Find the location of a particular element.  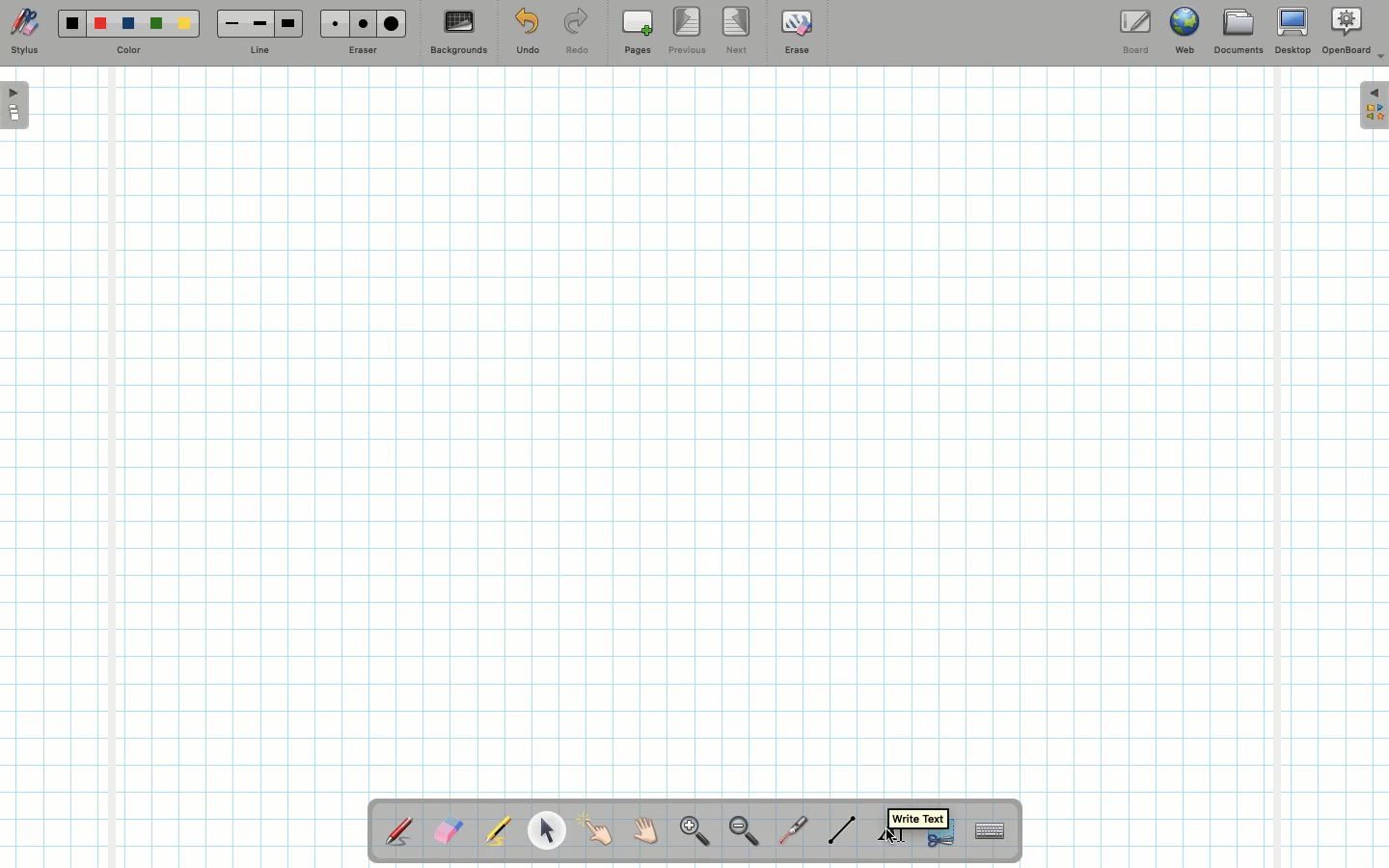

Desktop is located at coordinates (1295, 31).